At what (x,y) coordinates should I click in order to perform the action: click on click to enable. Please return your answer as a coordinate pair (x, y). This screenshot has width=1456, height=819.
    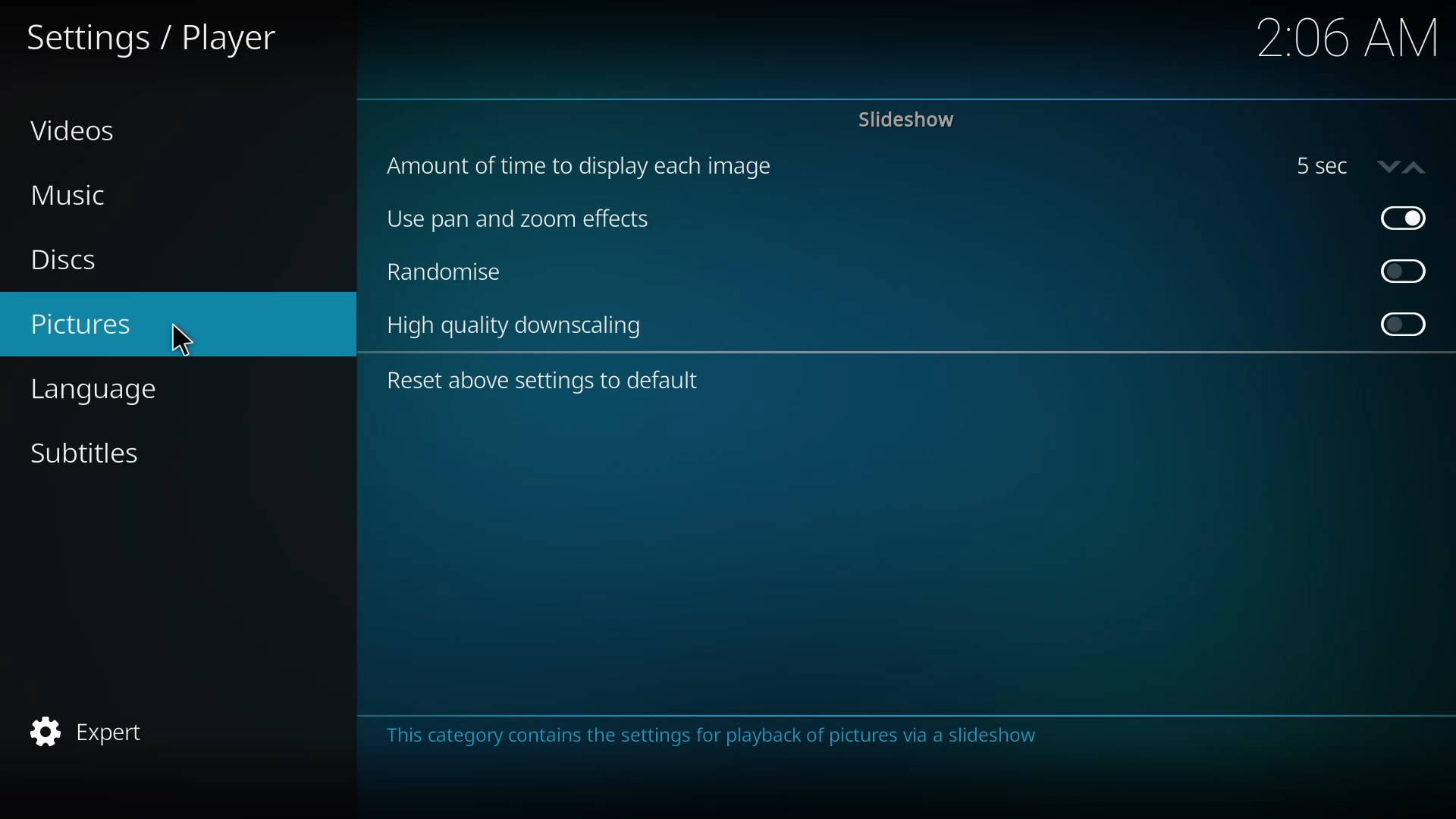
    Looking at the image, I should click on (1404, 272).